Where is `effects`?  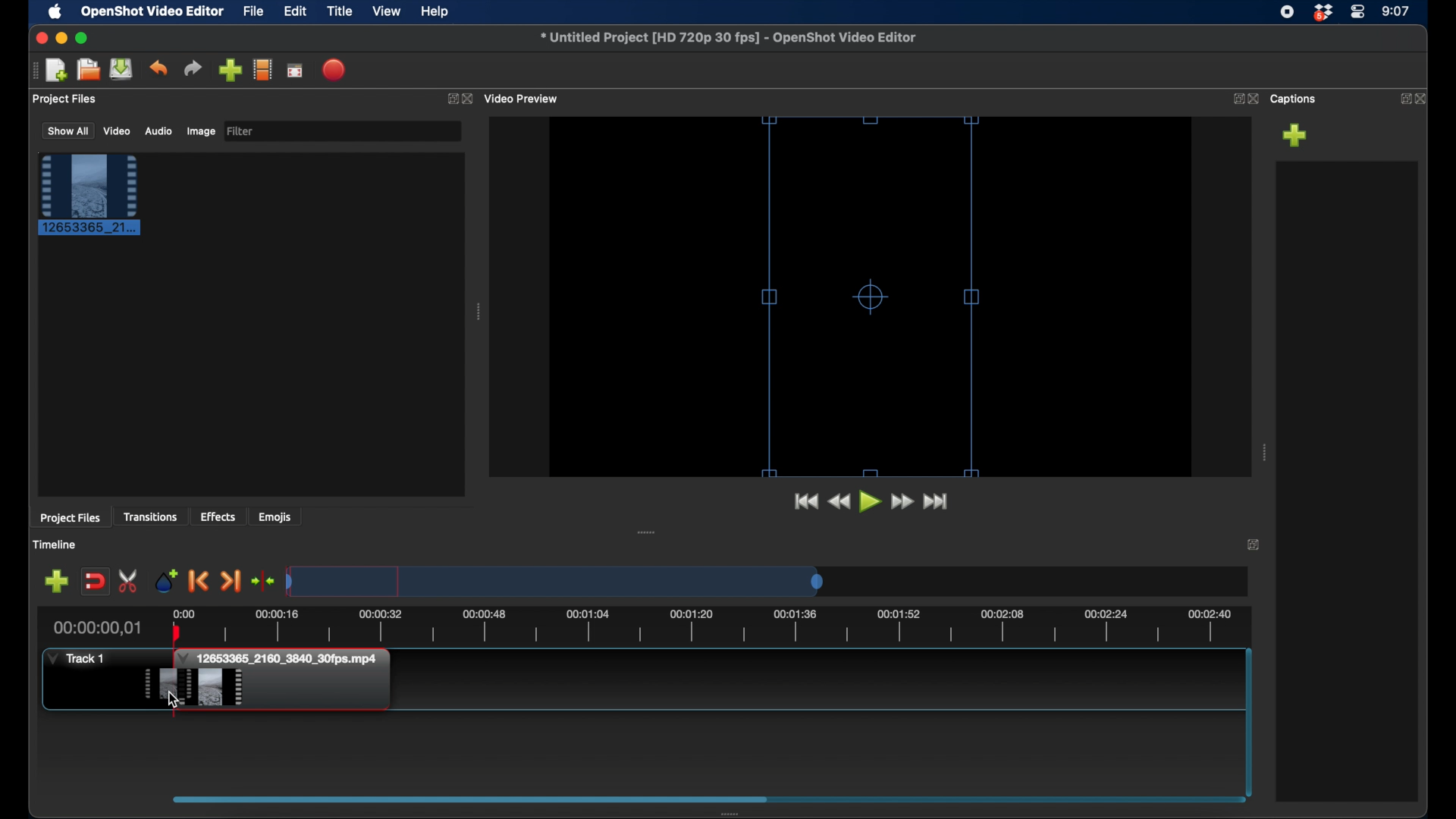 effects is located at coordinates (218, 516).